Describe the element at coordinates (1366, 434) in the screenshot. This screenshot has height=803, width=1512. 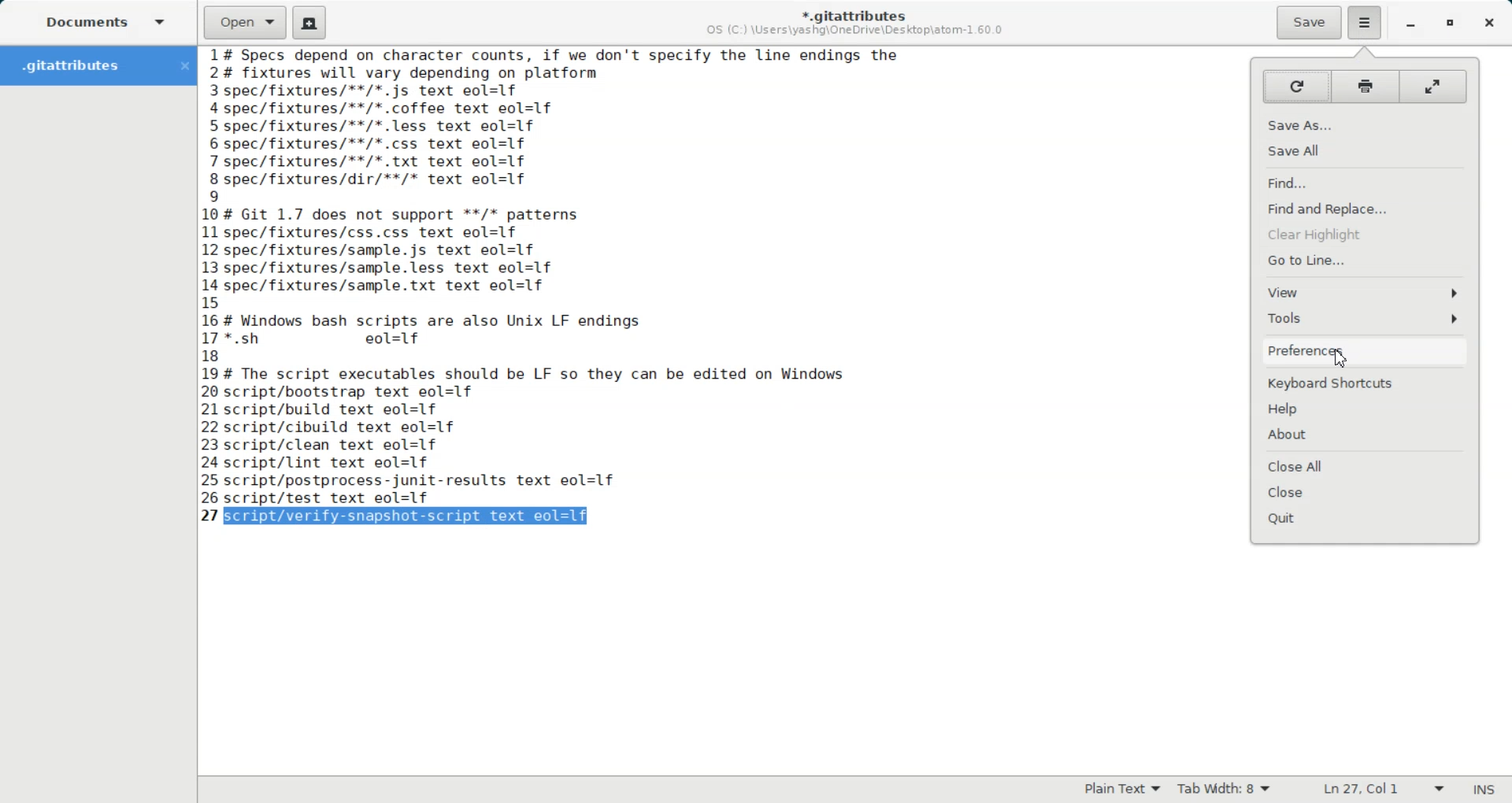
I see `About` at that location.